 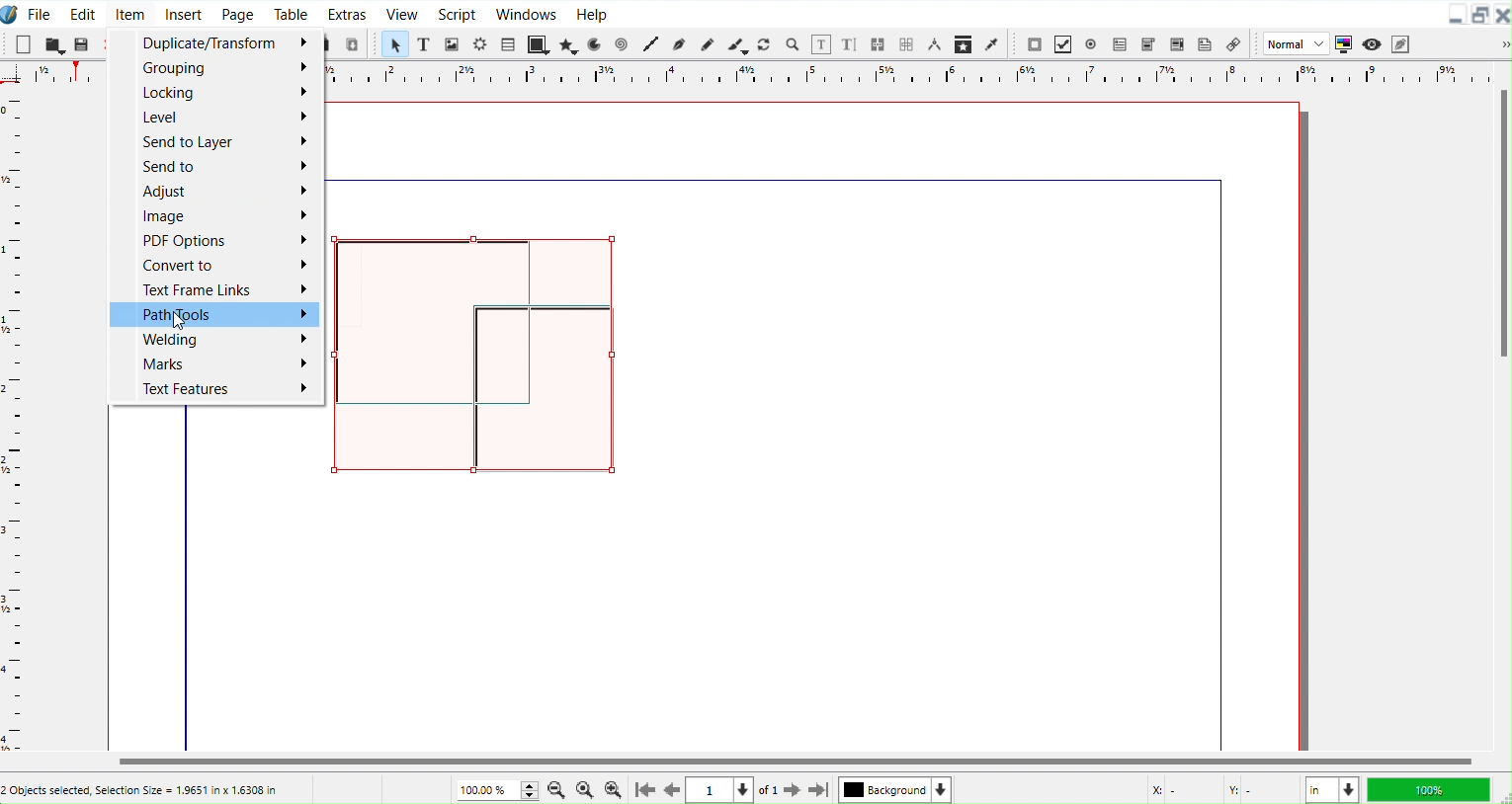 I want to click on X Co-ordinate, so click(x=1178, y=790).